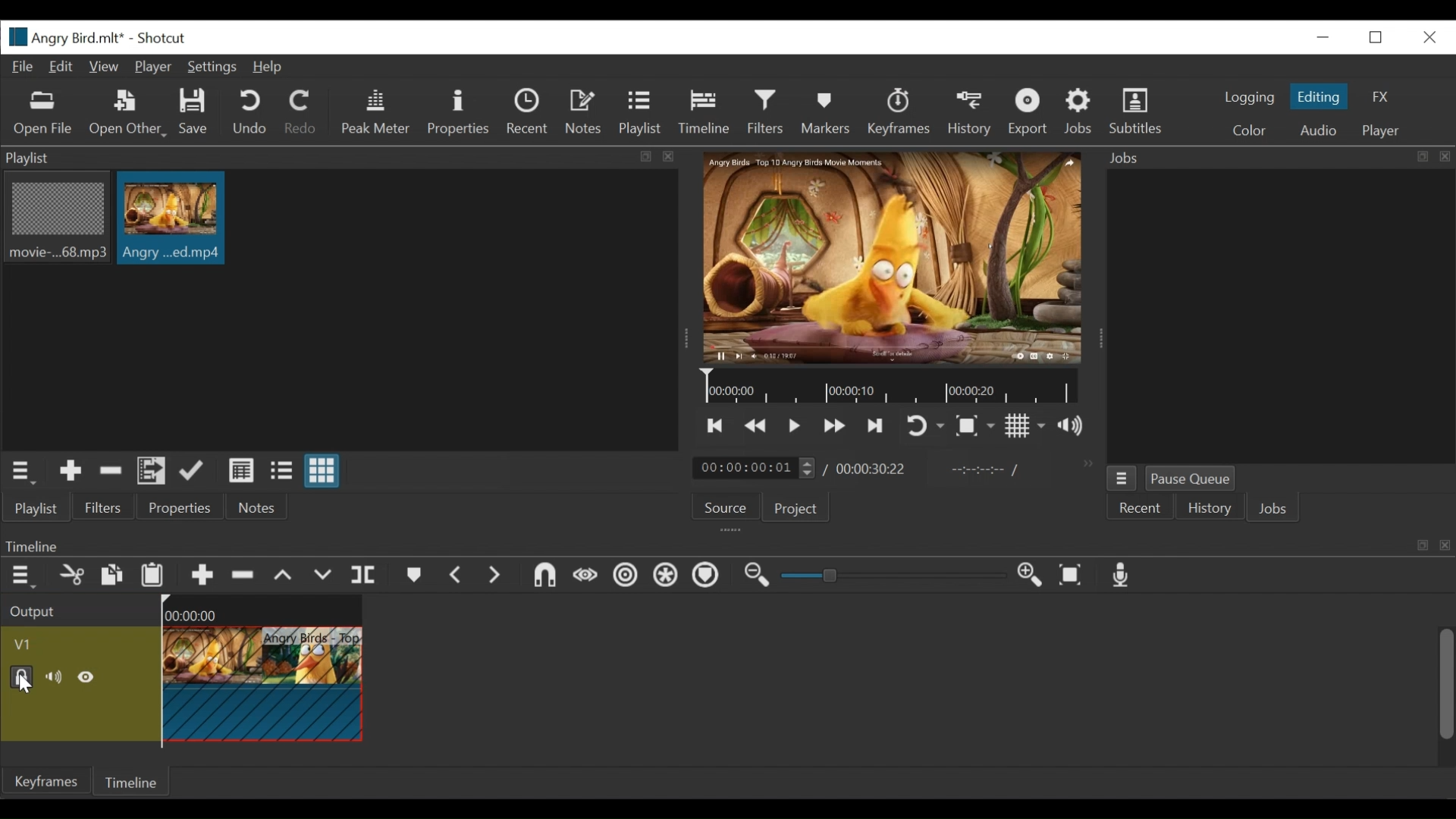 This screenshot has height=819, width=1456. What do you see at coordinates (1279, 160) in the screenshot?
I see `Jobs Pnael` at bounding box center [1279, 160].